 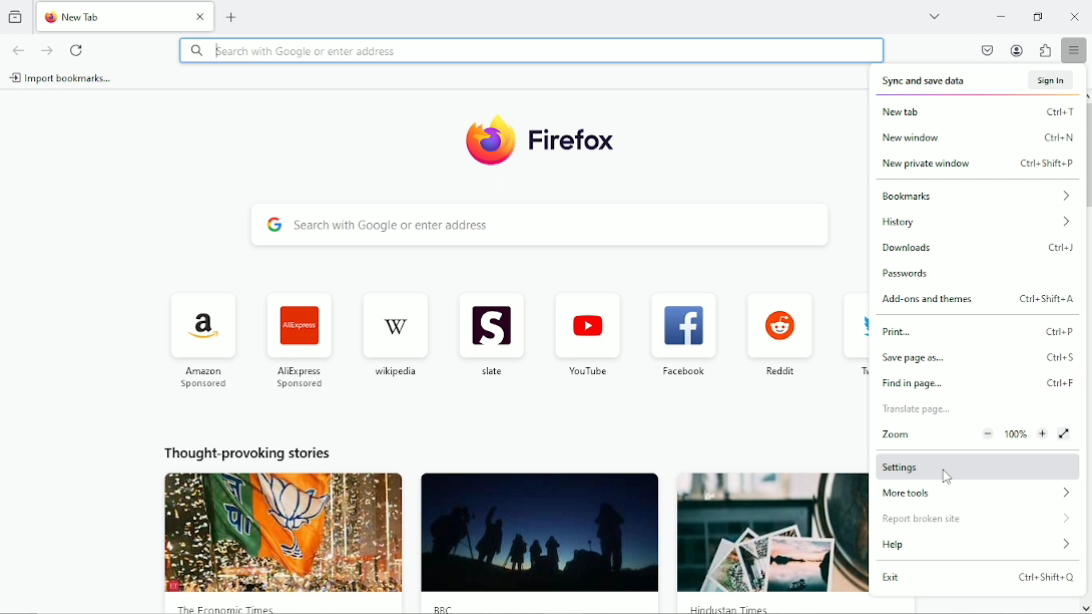 What do you see at coordinates (998, 15) in the screenshot?
I see `minimize` at bounding box center [998, 15].